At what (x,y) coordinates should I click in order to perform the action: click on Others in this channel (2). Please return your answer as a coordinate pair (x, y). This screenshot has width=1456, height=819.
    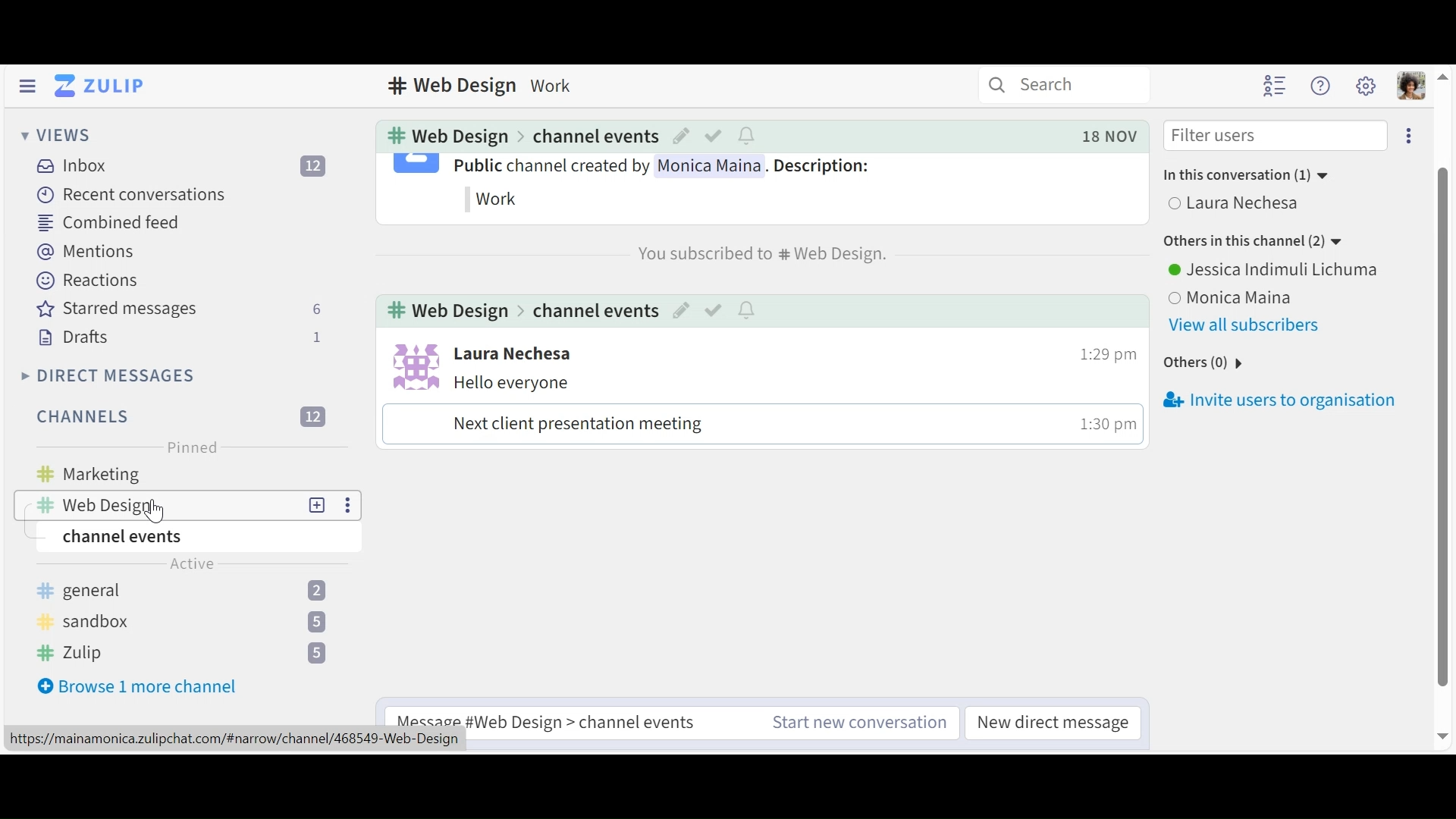
    Looking at the image, I should click on (1263, 241).